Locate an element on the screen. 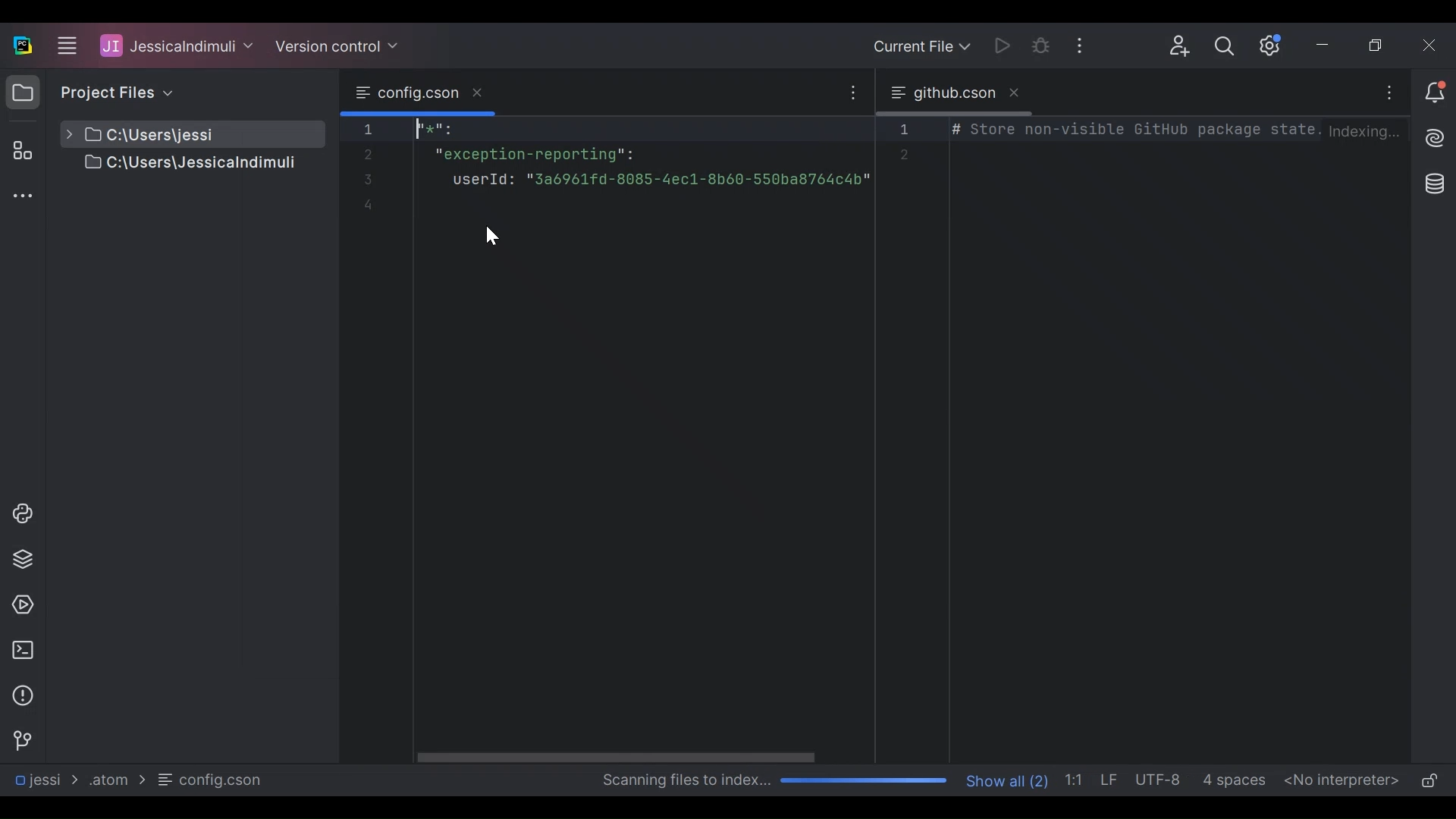 The height and width of the screenshot is (819, 1456). Browse Current Tab is located at coordinates (424, 93).